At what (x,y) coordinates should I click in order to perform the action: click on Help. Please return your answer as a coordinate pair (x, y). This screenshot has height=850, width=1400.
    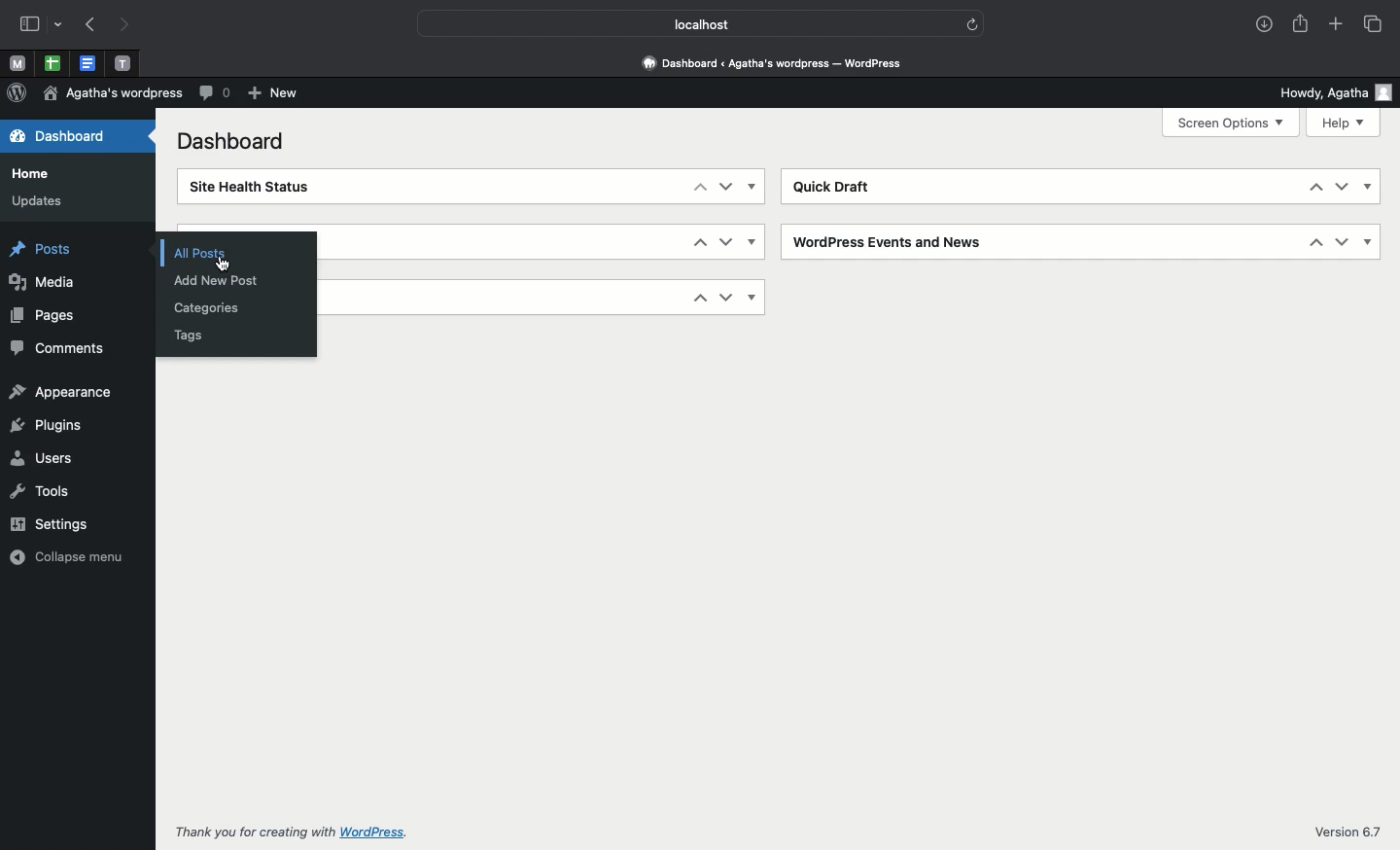
    Looking at the image, I should click on (1344, 123).